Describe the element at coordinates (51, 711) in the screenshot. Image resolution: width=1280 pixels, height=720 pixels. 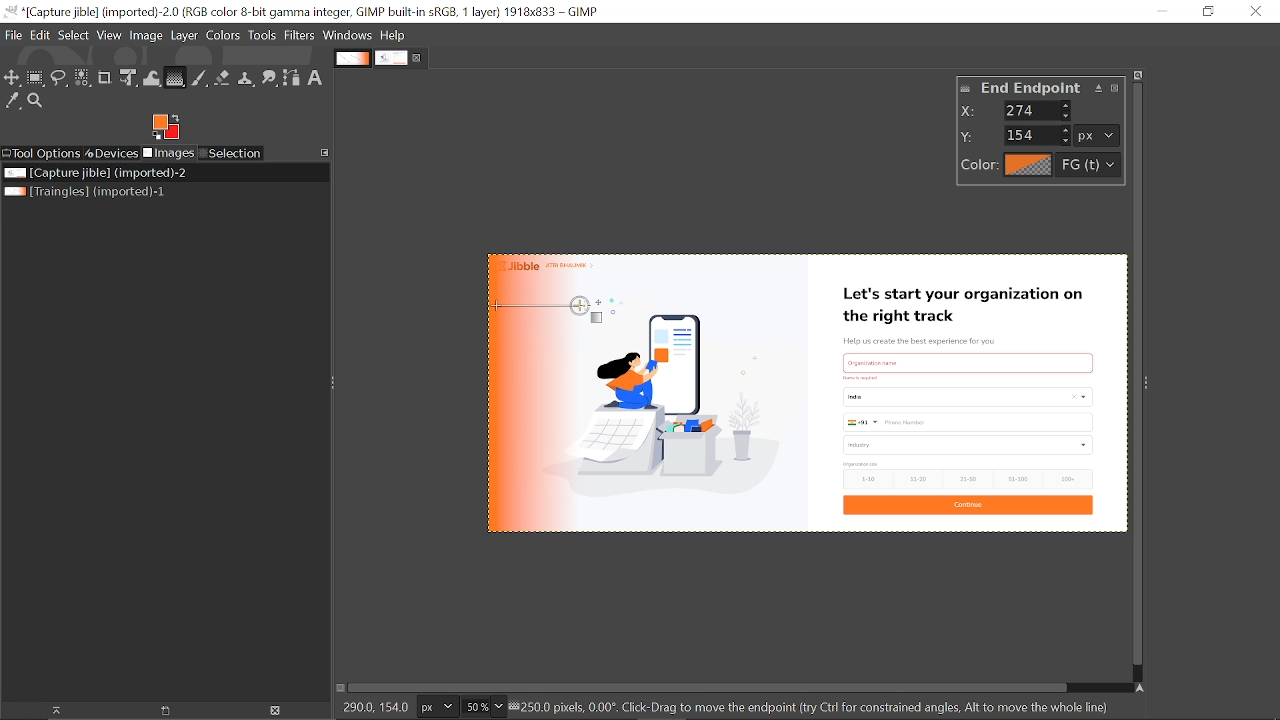
I see `Raise this image's display` at that location.